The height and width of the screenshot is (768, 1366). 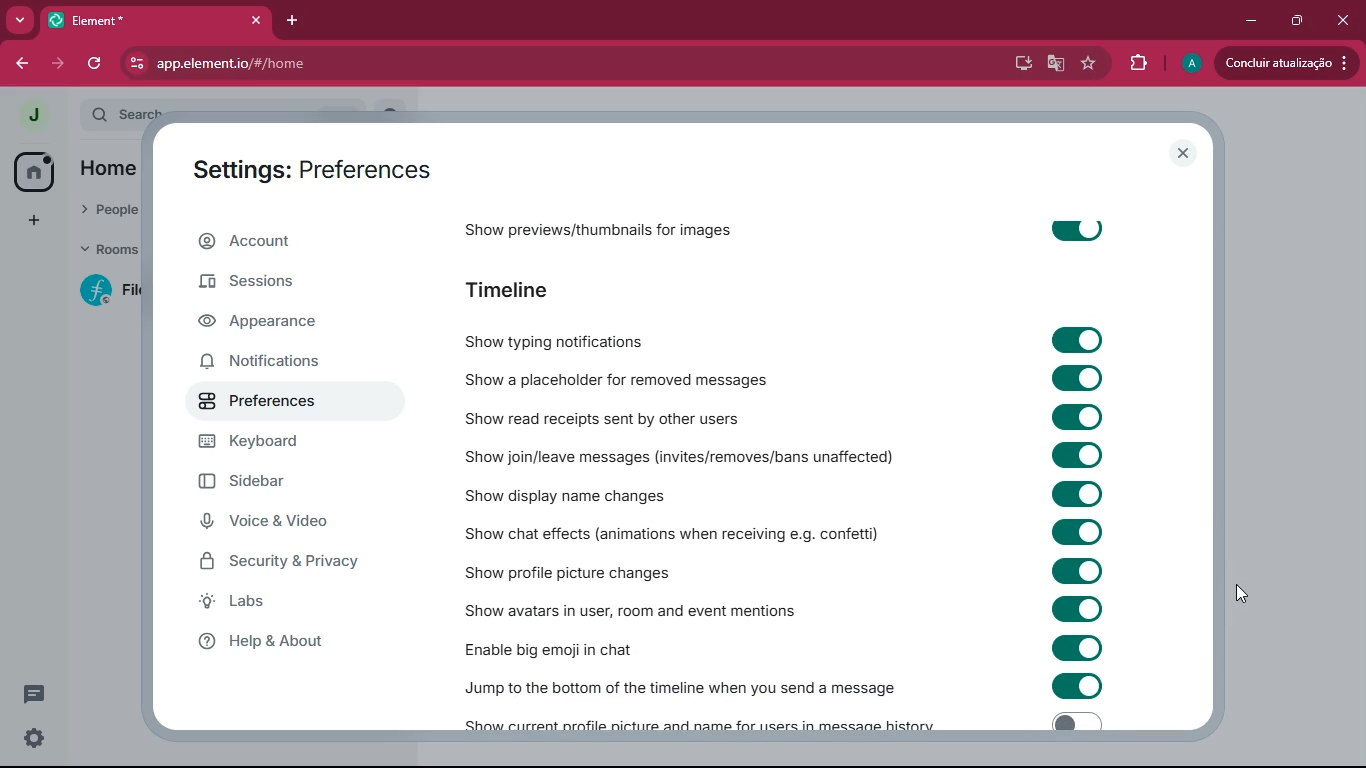 What do you see at coordinates (305, 173) in the screenshot?
I see `settings: account` at bounding box center [305, 173].